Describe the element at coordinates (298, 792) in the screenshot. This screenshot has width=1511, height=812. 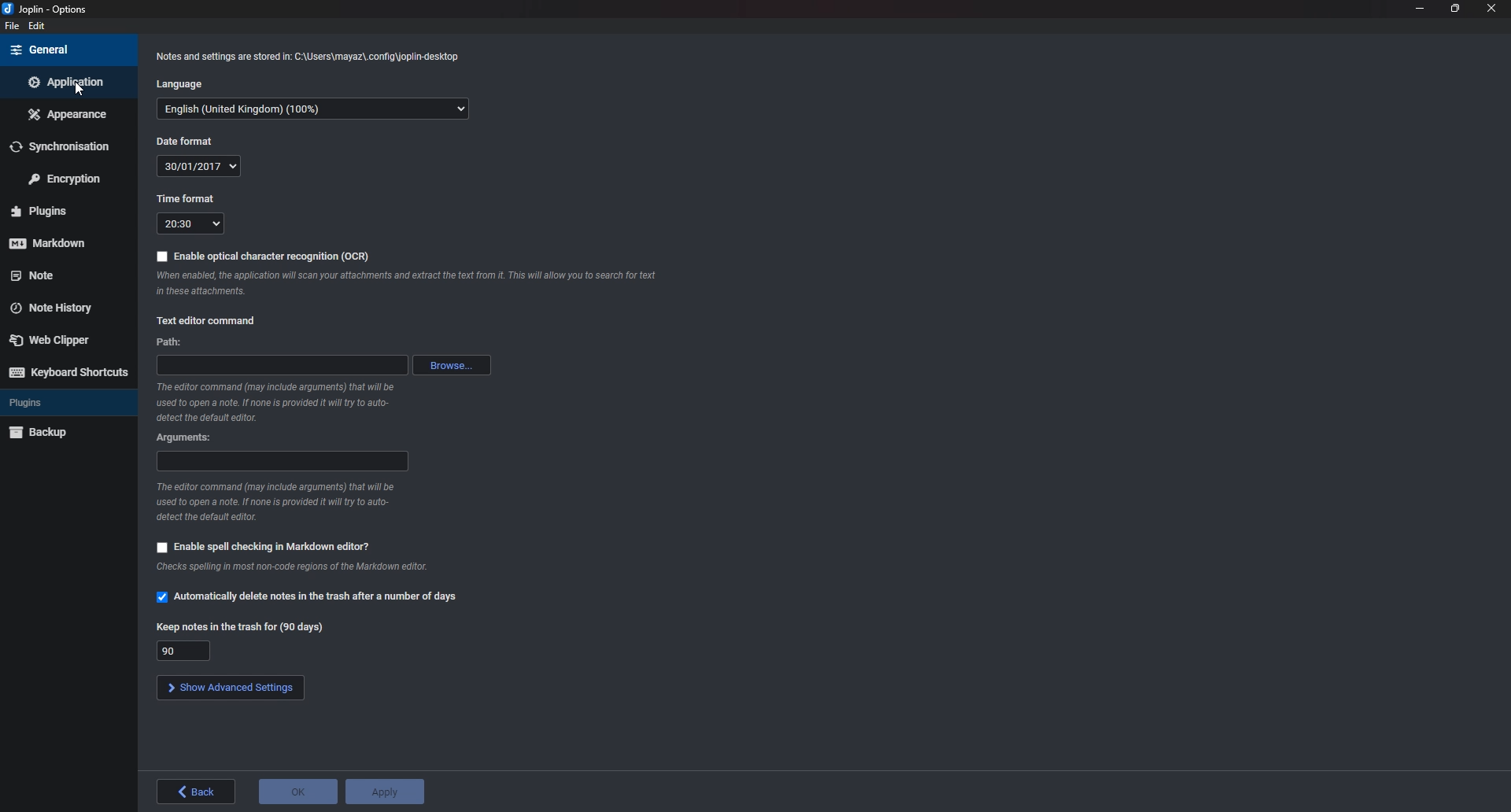
I see `ok` at that location.